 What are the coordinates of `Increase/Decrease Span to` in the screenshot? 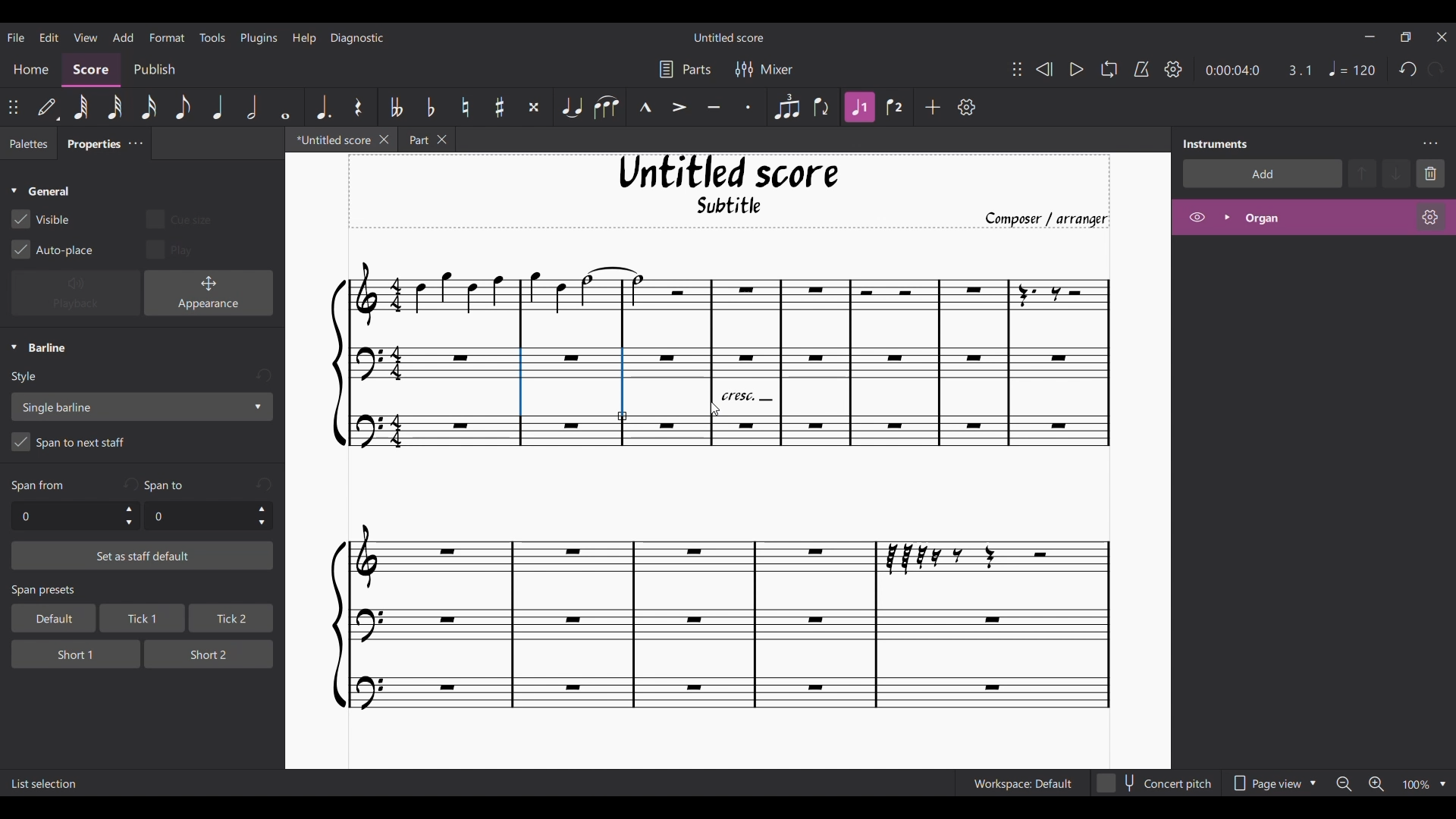 It's located at (262, 516).